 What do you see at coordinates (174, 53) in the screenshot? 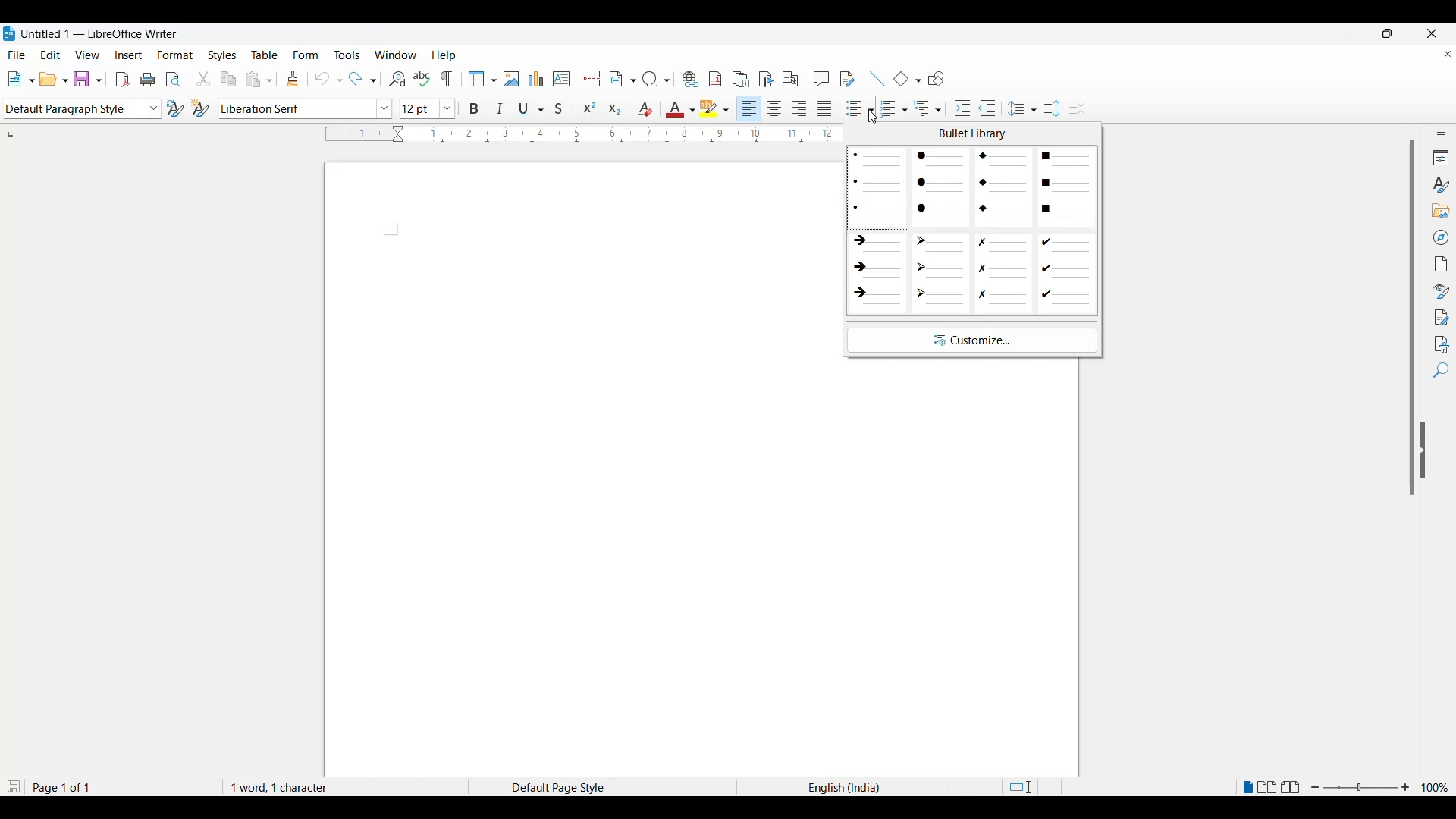
I see `Format` at bounding box center [174, 53].